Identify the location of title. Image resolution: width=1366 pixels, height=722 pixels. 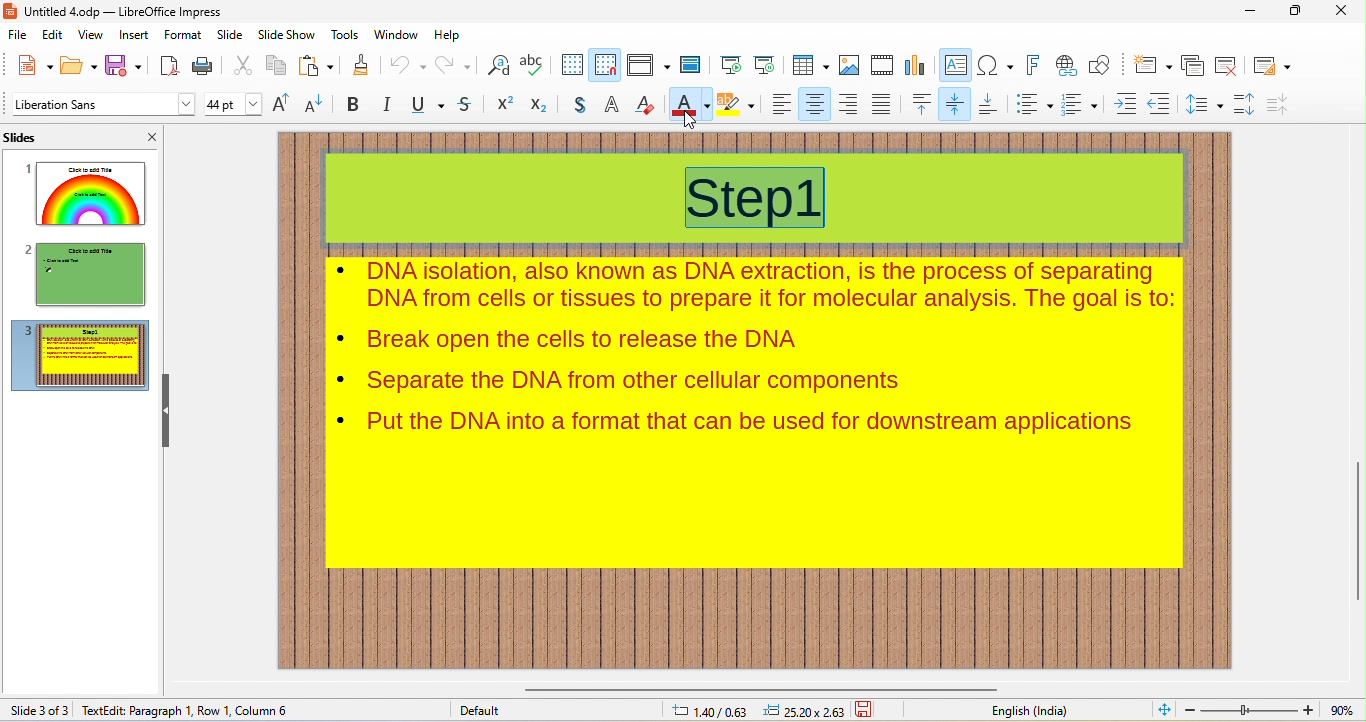
(121, 12).